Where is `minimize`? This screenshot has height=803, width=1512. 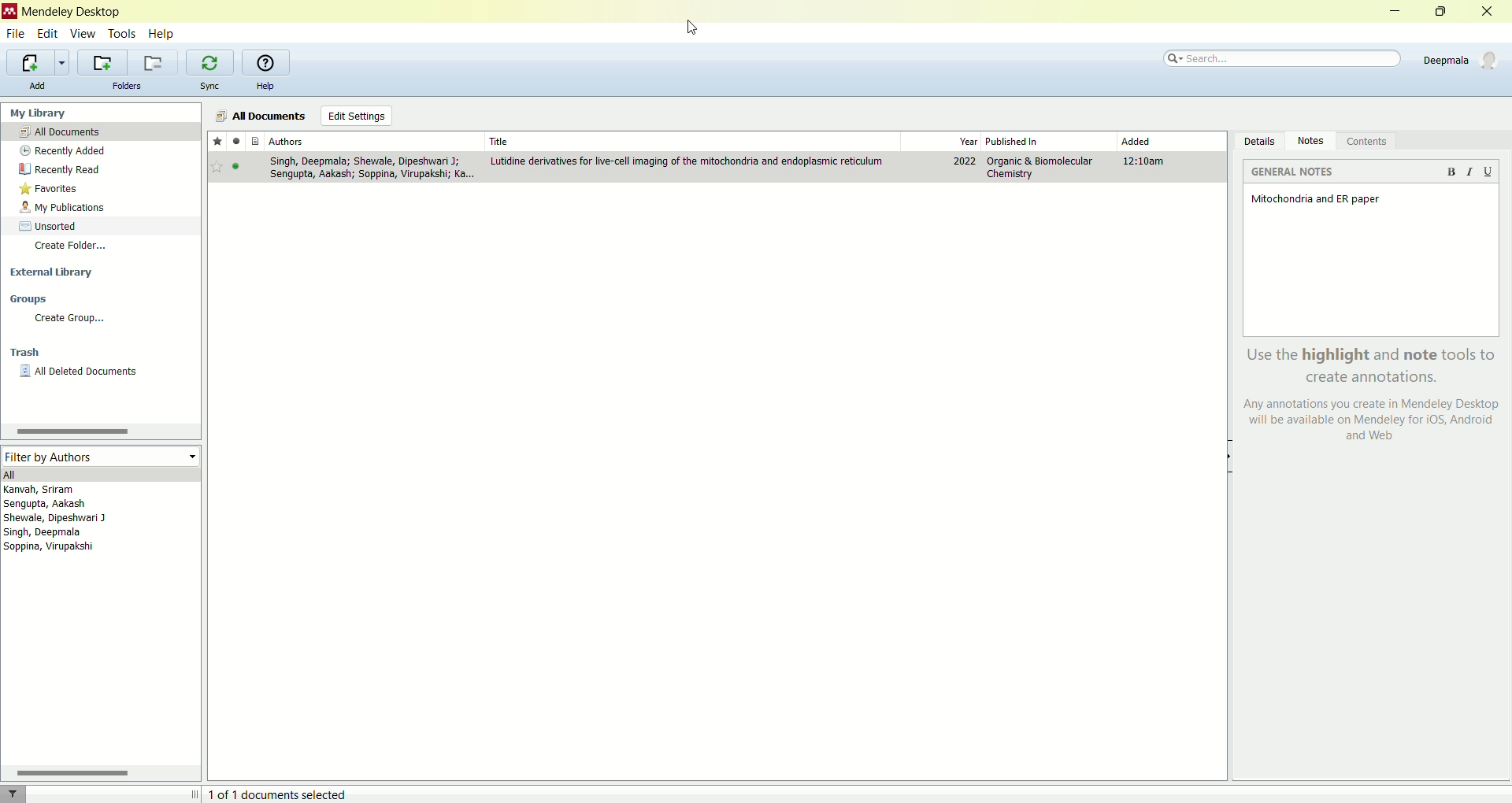 minimize is located at coordinates (1397, 11).